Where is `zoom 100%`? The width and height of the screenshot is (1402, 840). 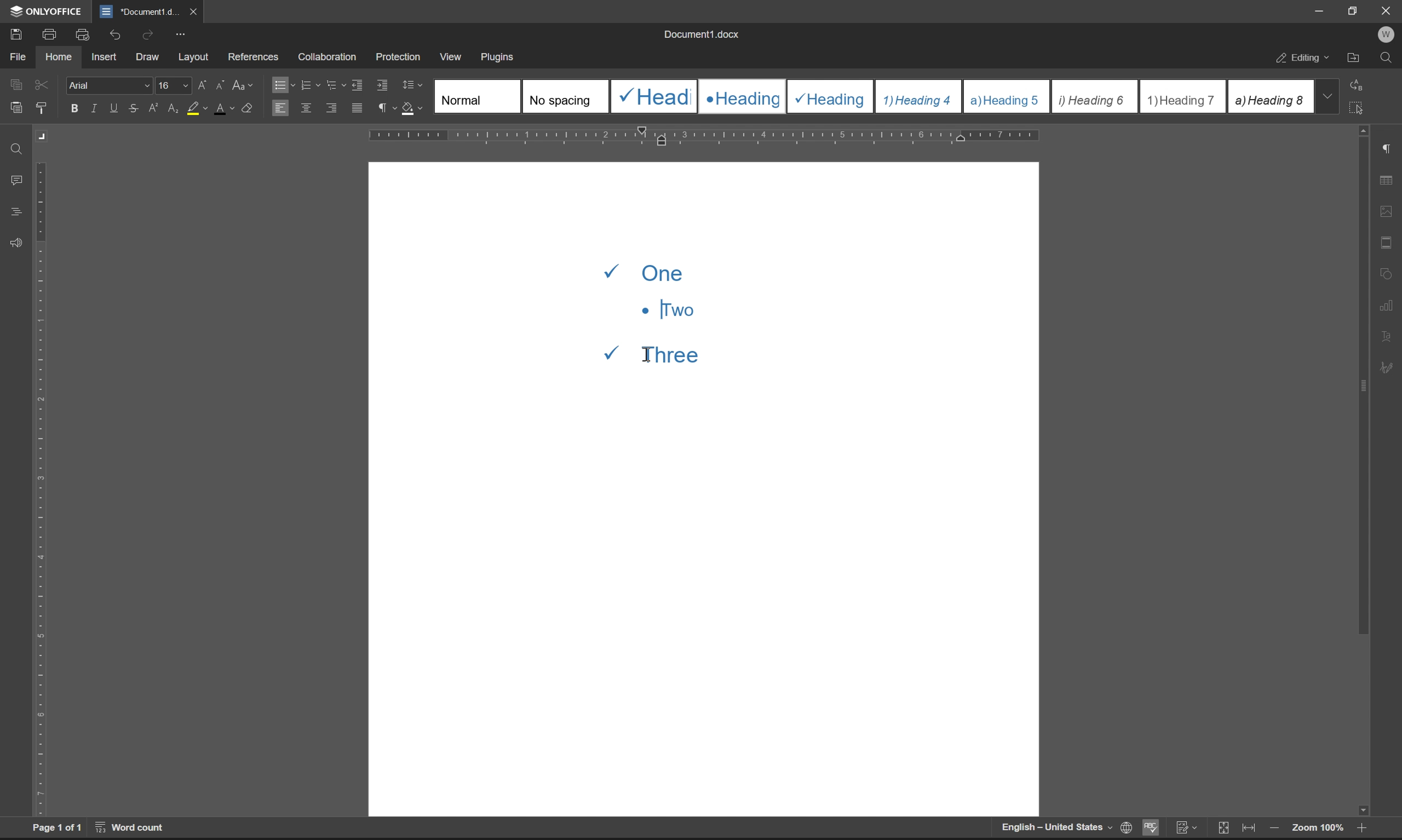
zoom 100% is located at coordinates (1317, 830).